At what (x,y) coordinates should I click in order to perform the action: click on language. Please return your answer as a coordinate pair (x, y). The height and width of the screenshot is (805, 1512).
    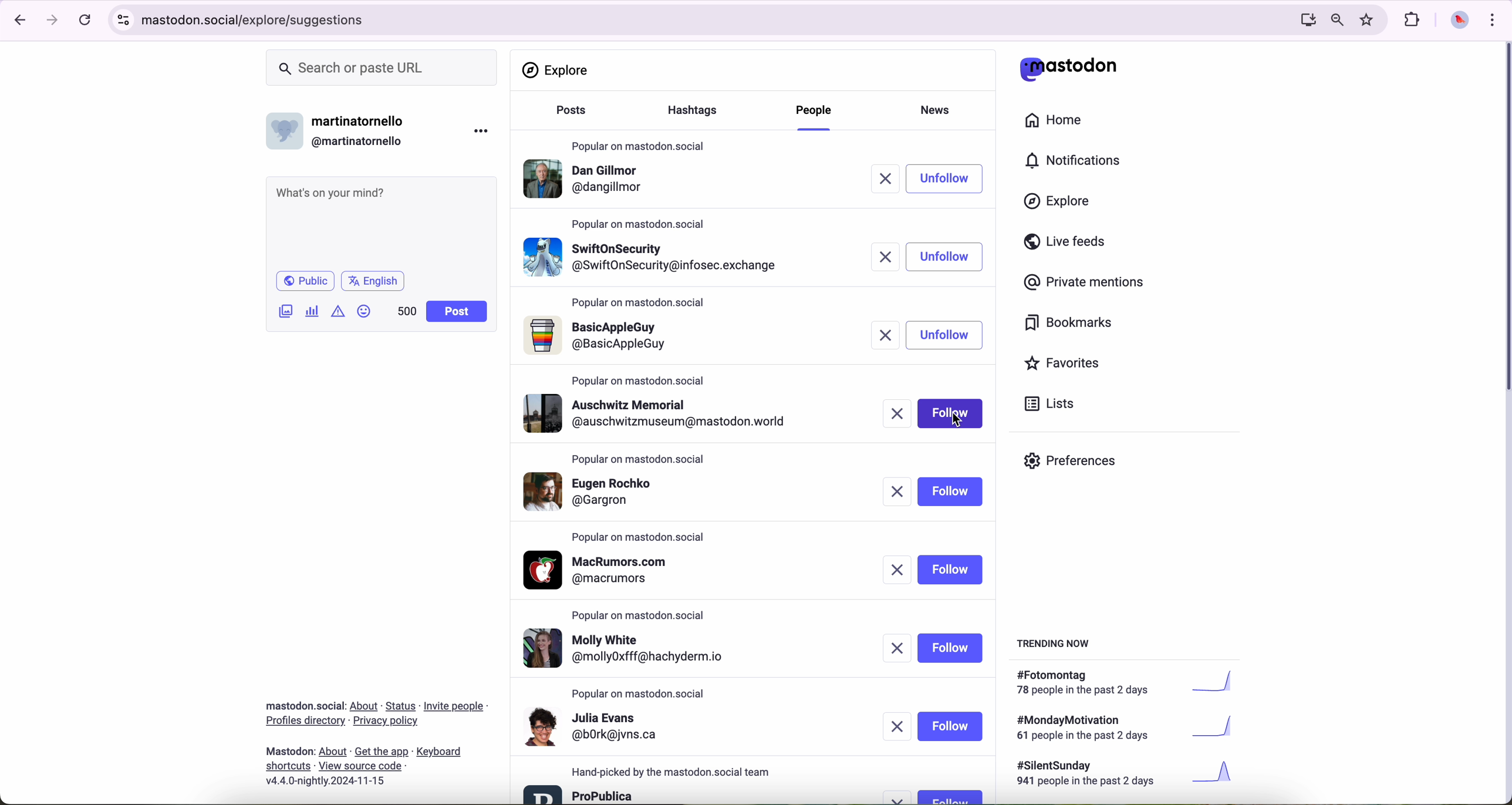
    Looking at the image, I should click on (373, 280).